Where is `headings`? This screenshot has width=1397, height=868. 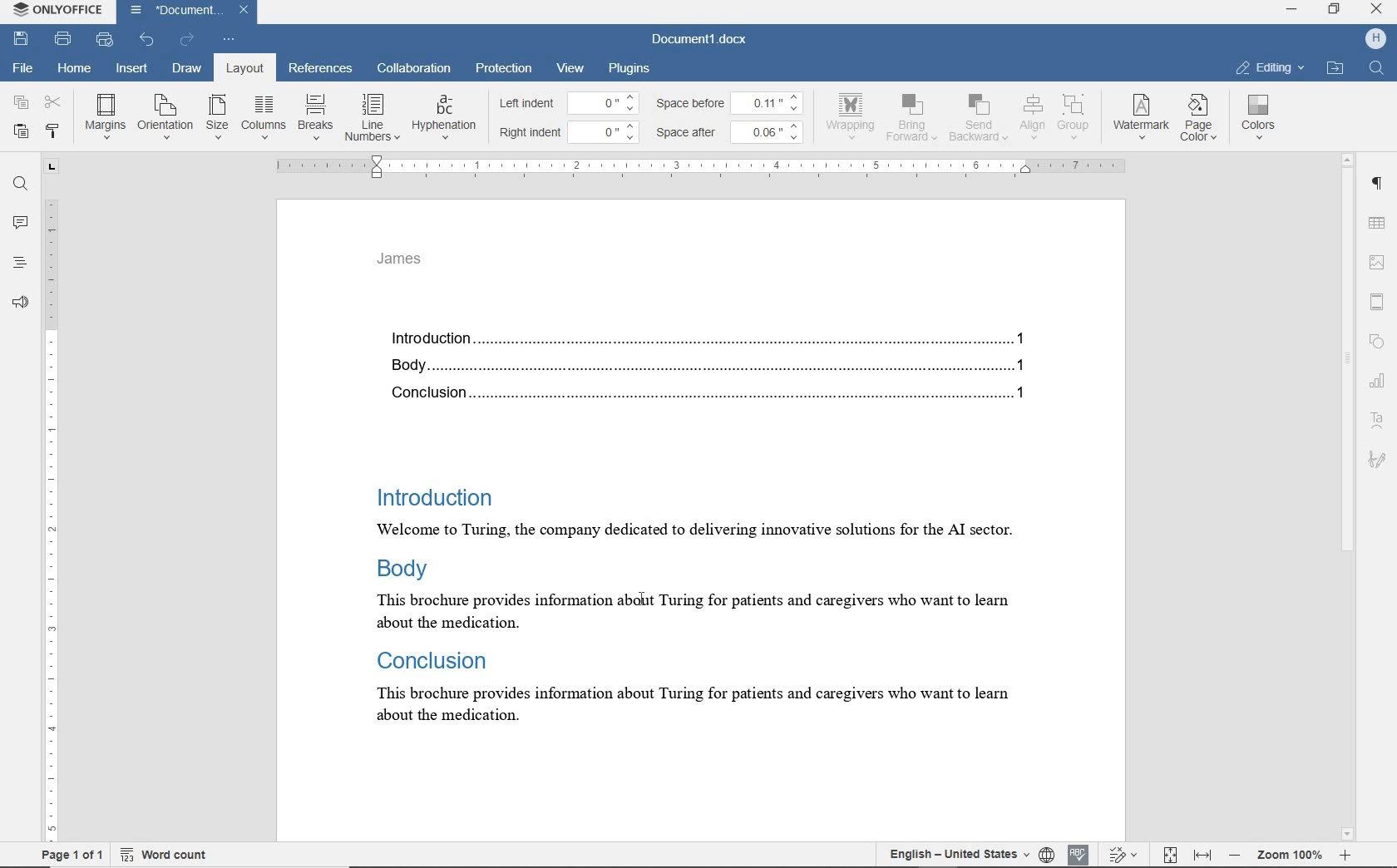 headings is located at coordinates (16, 264).